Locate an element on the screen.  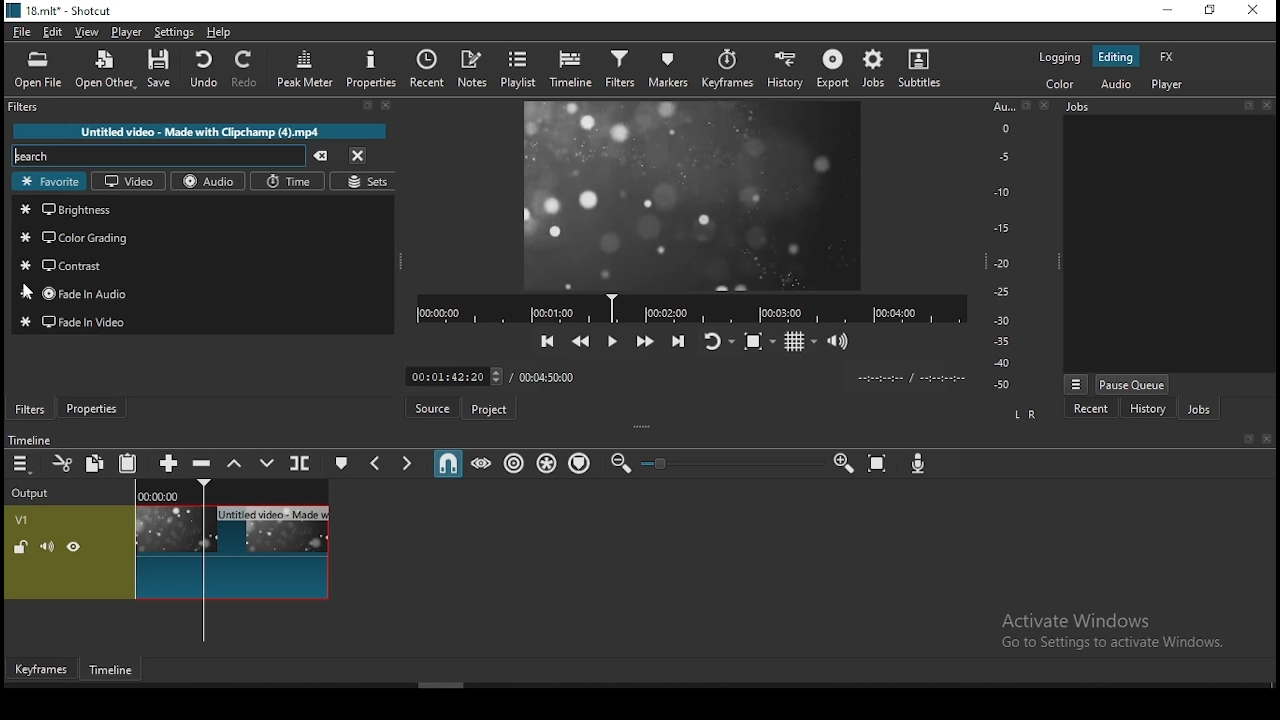
editing is located at coordinates (1115, 57).